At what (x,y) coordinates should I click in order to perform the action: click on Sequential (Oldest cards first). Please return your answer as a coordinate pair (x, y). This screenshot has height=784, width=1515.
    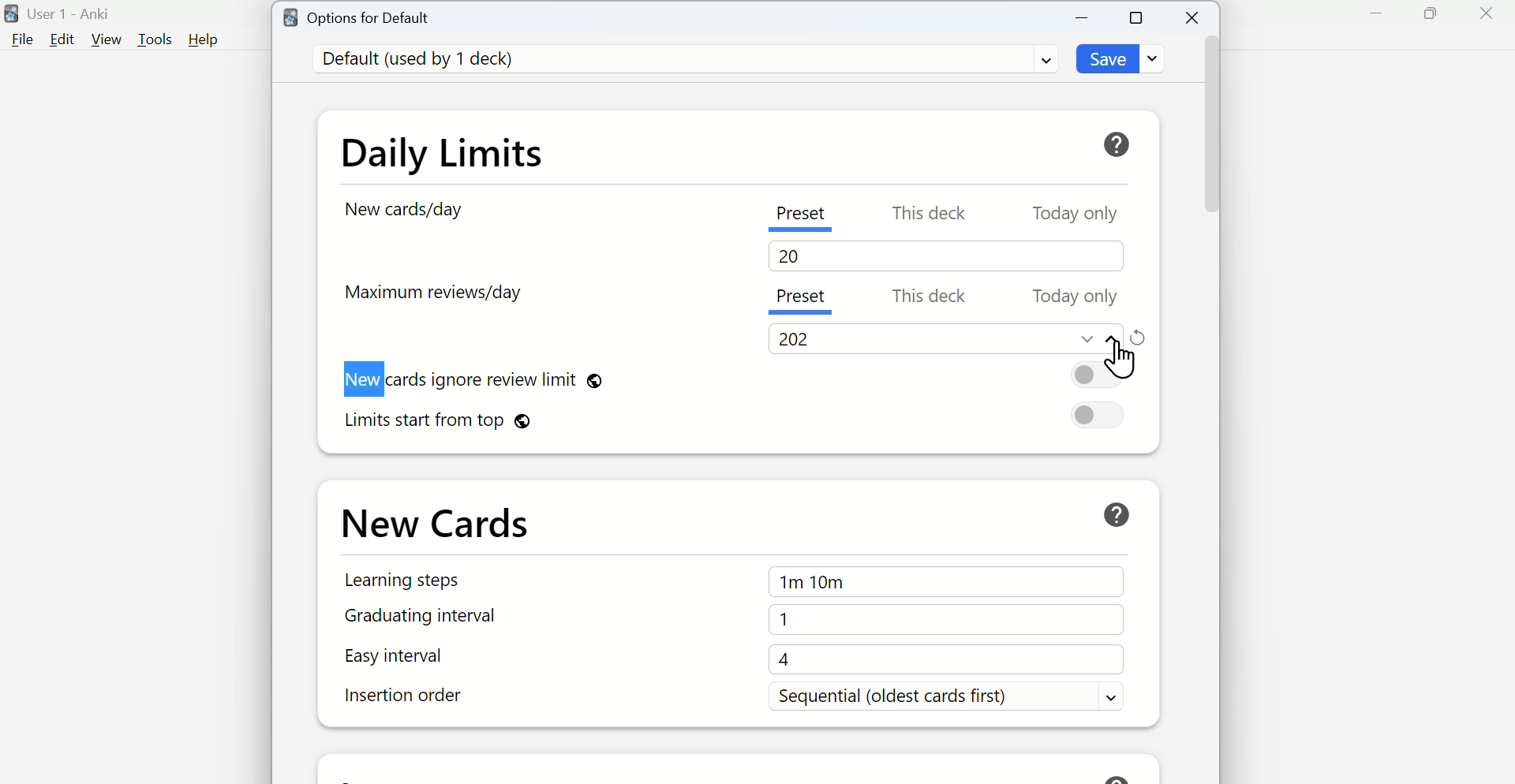
    Looking at the image, I should click on (945, 695).